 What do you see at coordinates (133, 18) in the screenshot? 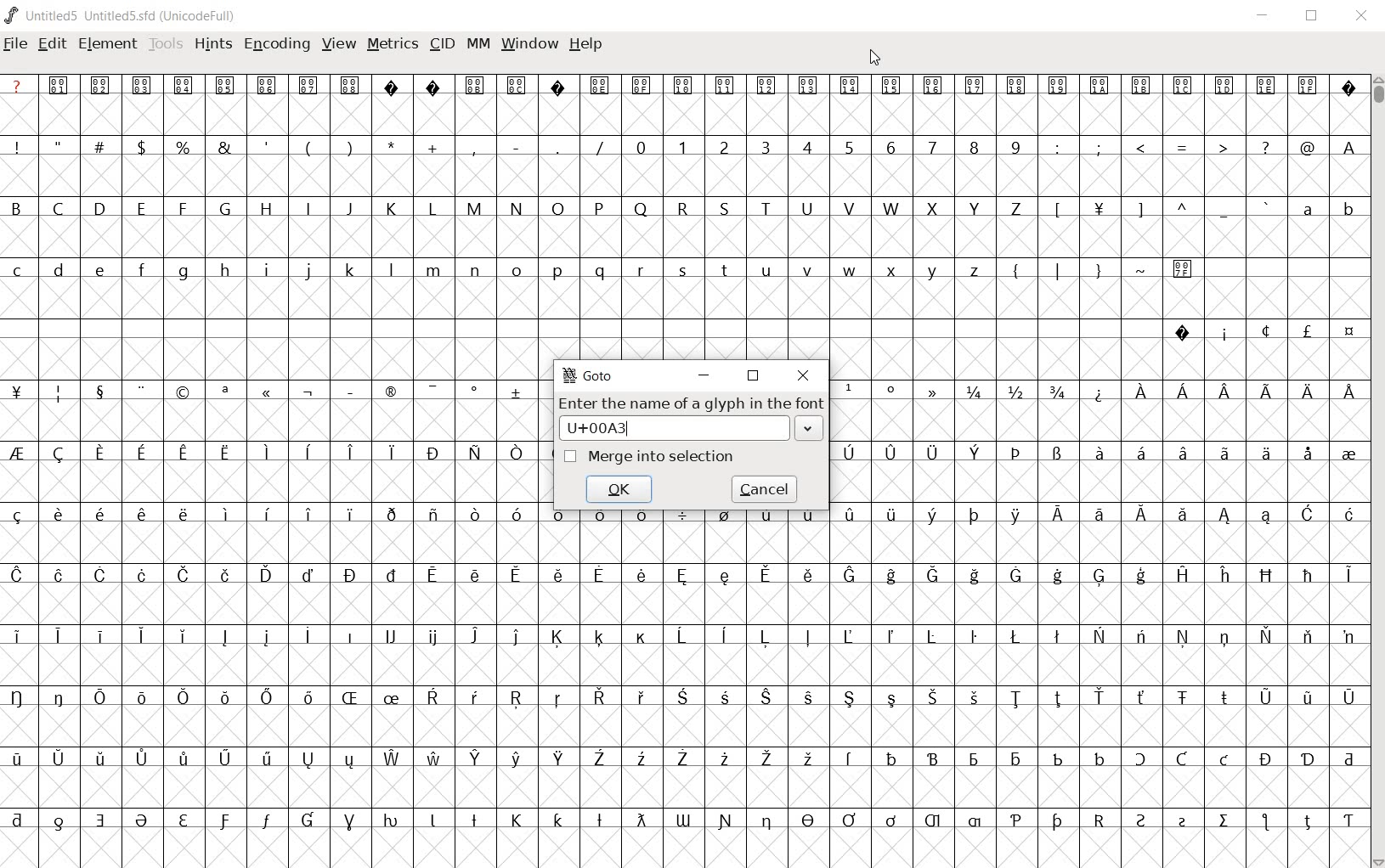
I see `Untitled5 Untitled5.sfd (UnicodeFull)` at bounding box center [133, 18].